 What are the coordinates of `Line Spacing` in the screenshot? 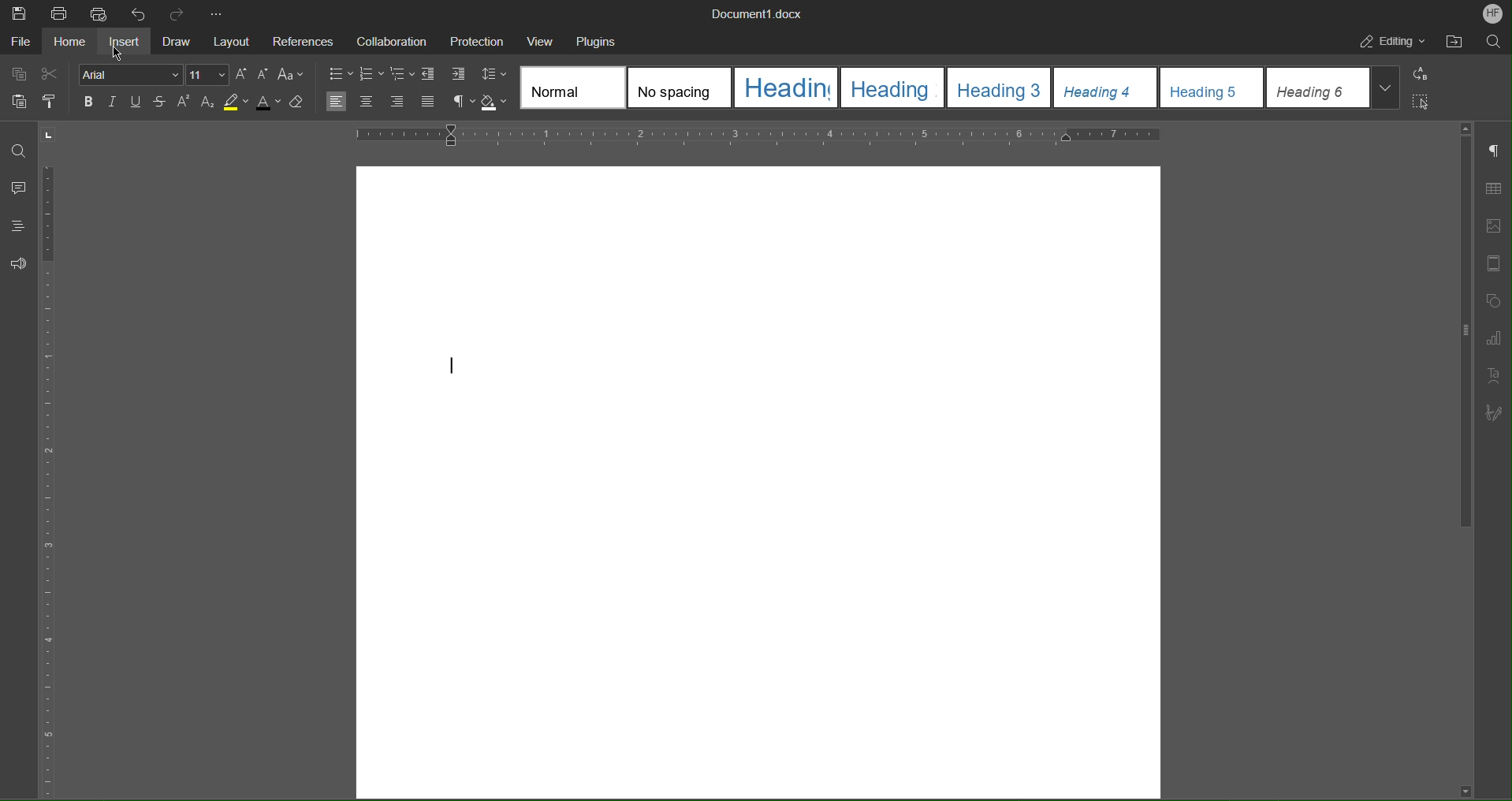 It's located at (494, 74).